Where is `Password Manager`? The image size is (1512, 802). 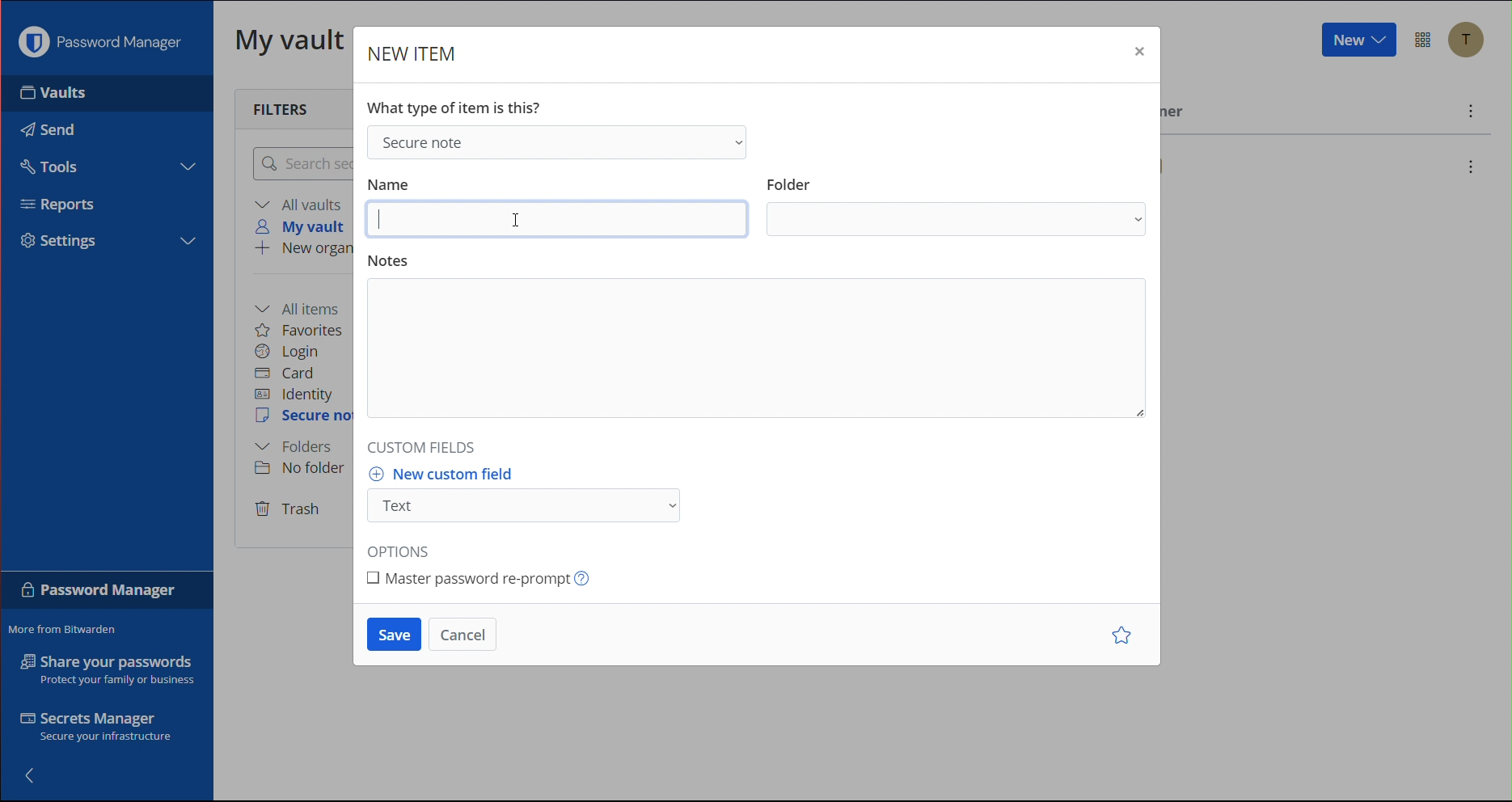
Password Manager is located at coordinates (104, 42).